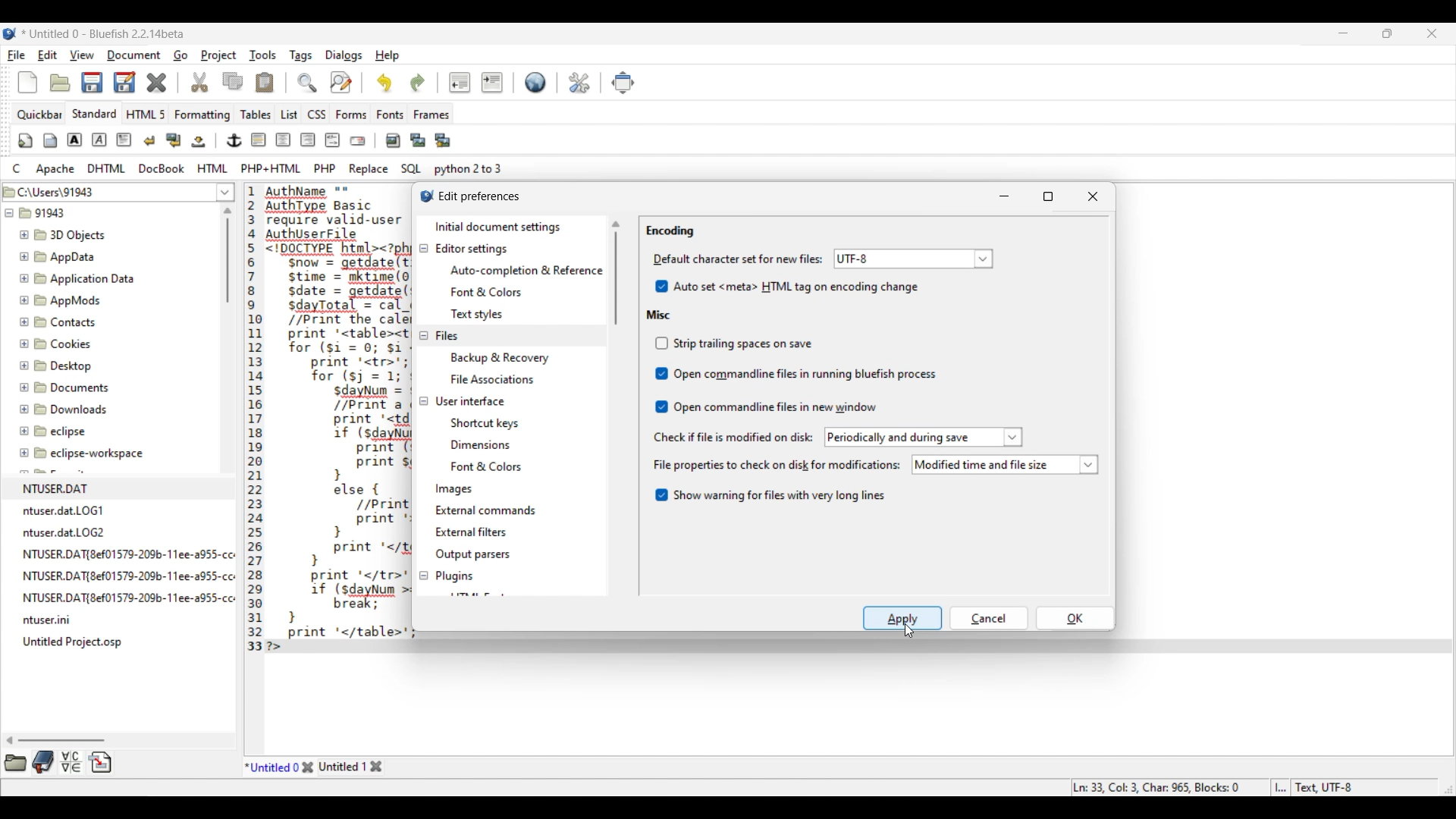 The image size is (1456, 819). Describe the element at coordinates (344, 56) in the screenshot. I see `Dialogs menu` at that location.